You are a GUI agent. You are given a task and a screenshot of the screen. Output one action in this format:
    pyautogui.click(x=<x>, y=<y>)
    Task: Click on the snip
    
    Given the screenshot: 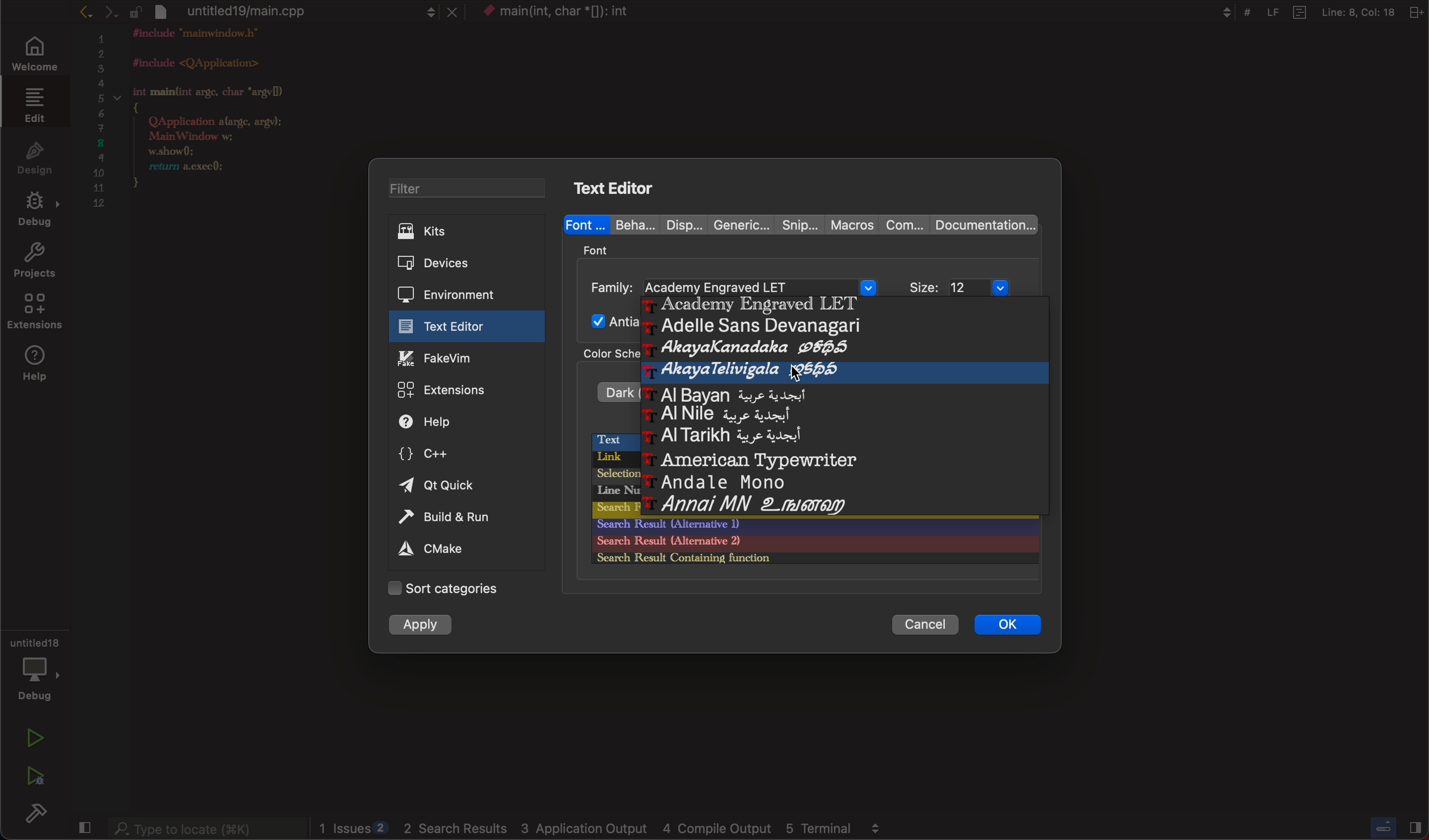 What is the action you would take?
    pyautogui.click(x=797, y=223)
    